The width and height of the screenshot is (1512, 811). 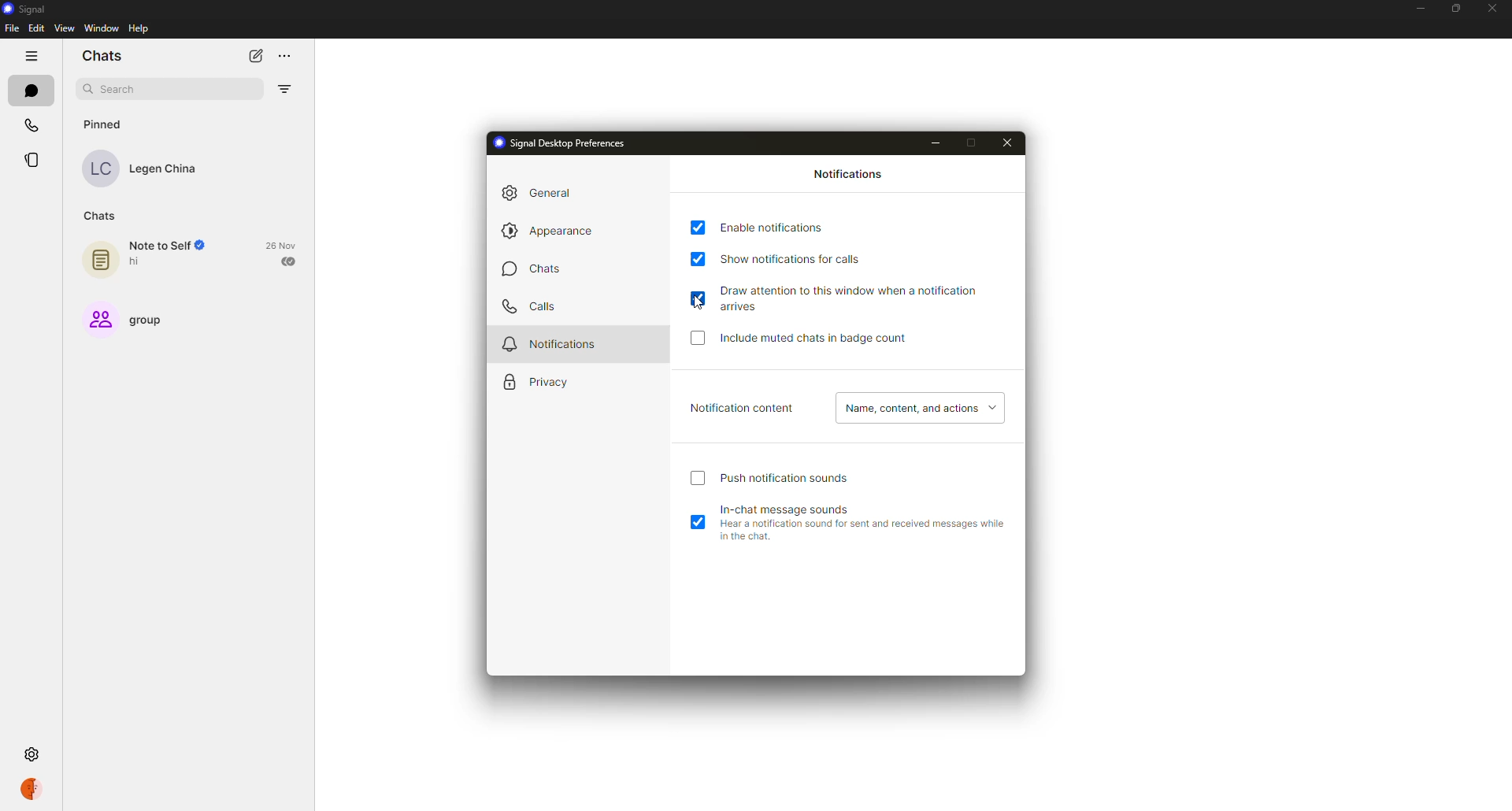 What do you see at coordinates (543, 192) in the screenshot?
I see `general` at bounding box center [543, 192].